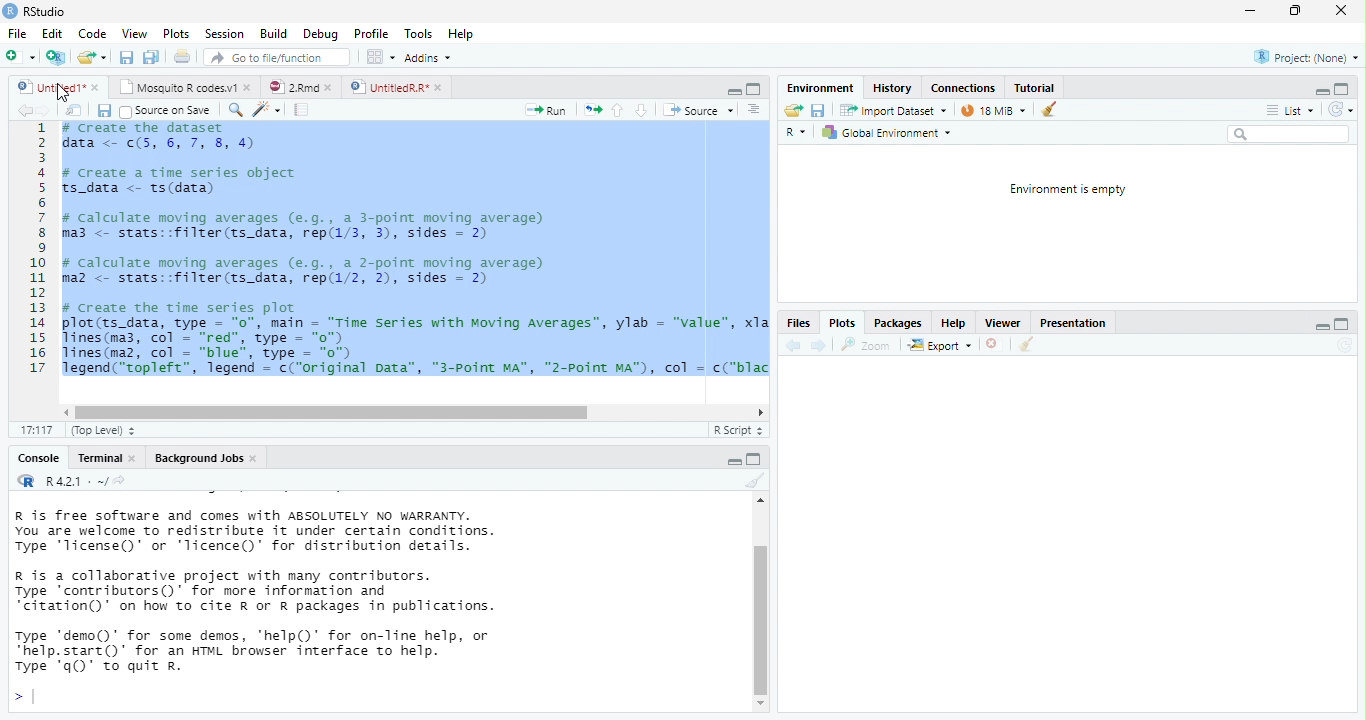  I want to click on 28 MiB, so click(992, 110).